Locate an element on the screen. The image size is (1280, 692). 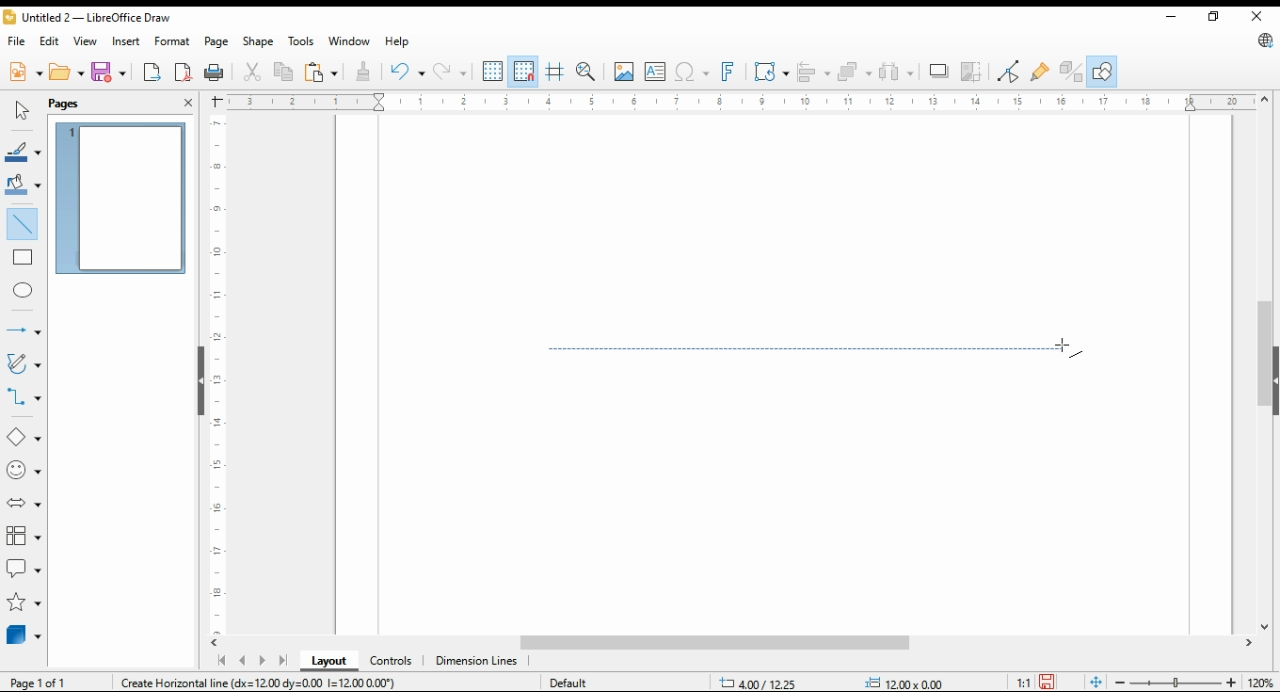
first page is located at coordinates (220, 661).